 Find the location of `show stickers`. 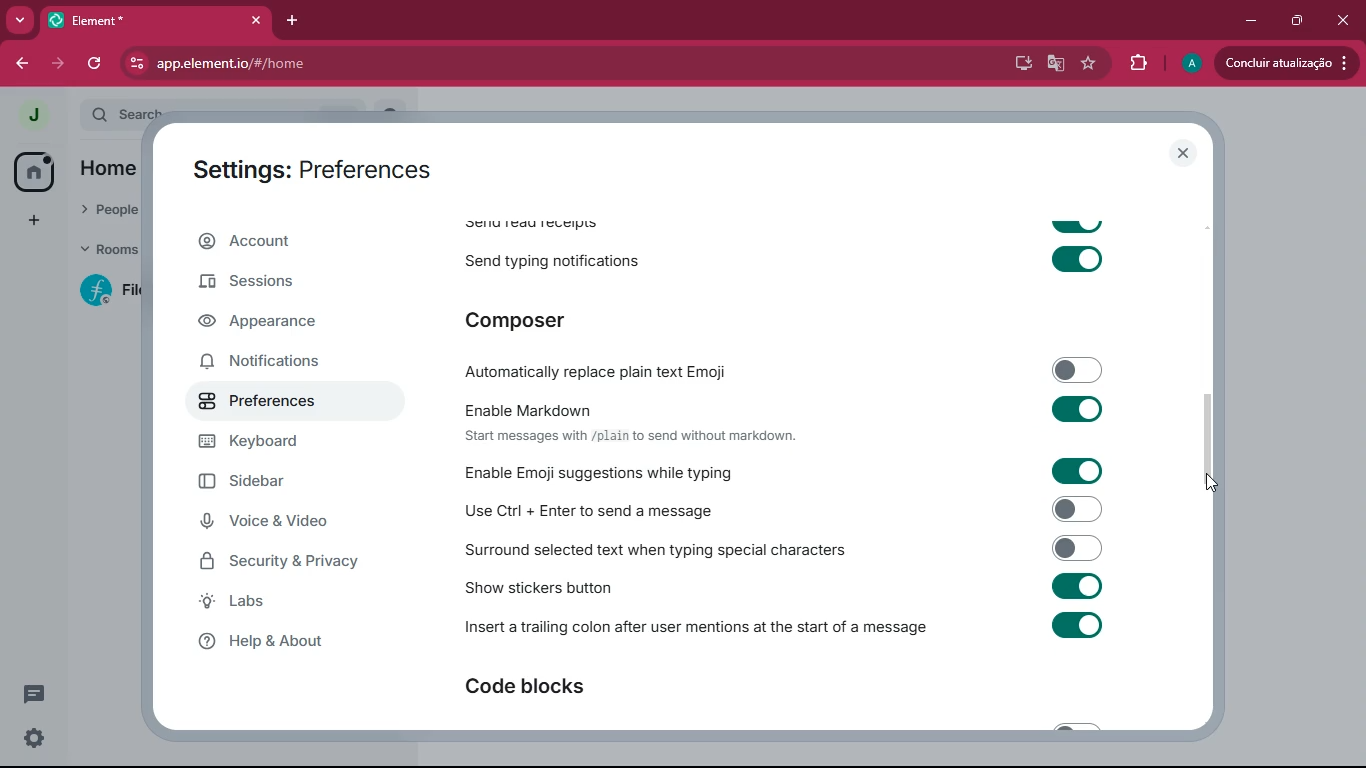

show stickers is located at coordinates (810, 588).